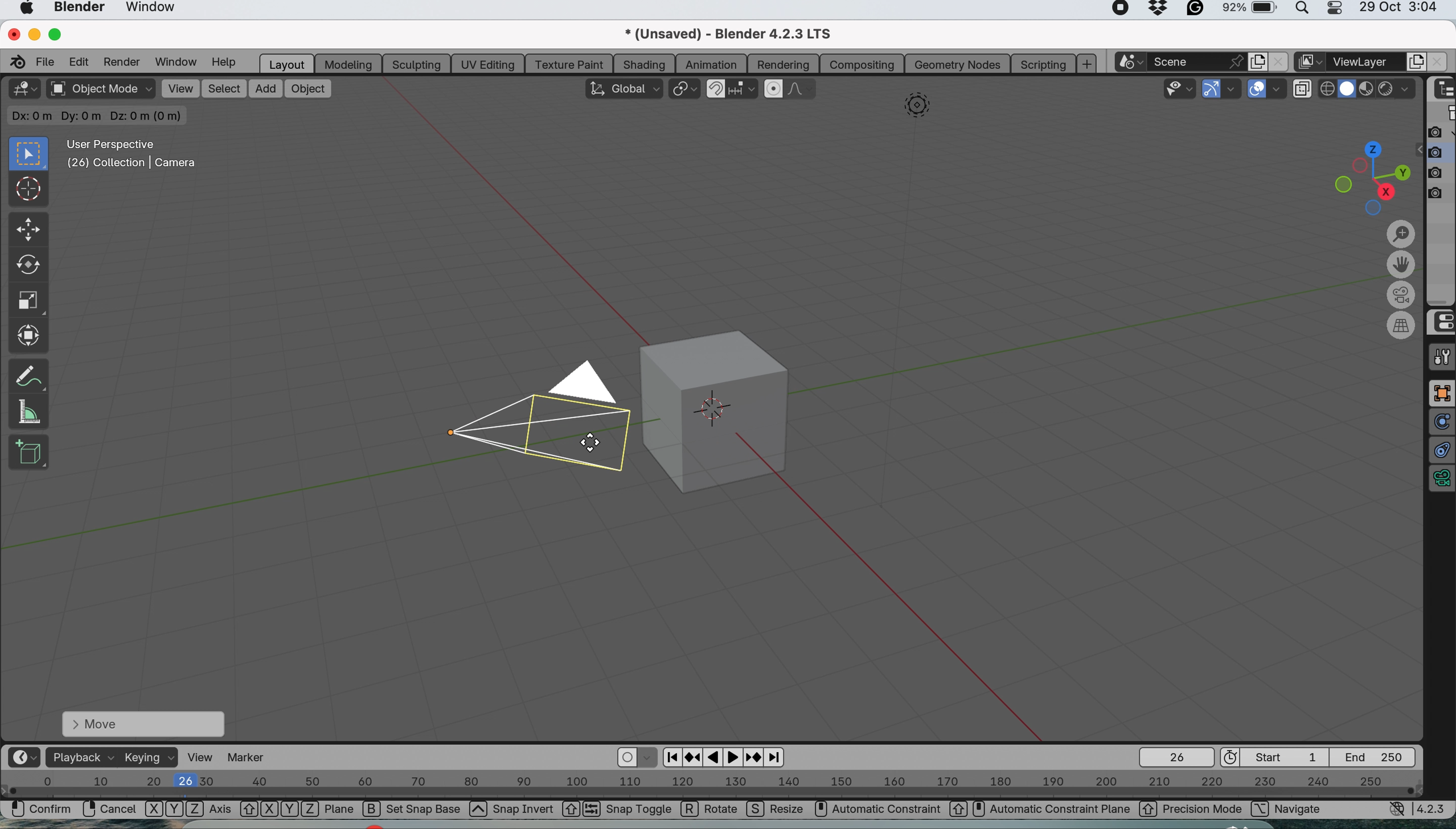 This screenshot has width=1456, height=829. Describe the element at coordinates (716, 87) in the screenshot. I see `snap` at that location.